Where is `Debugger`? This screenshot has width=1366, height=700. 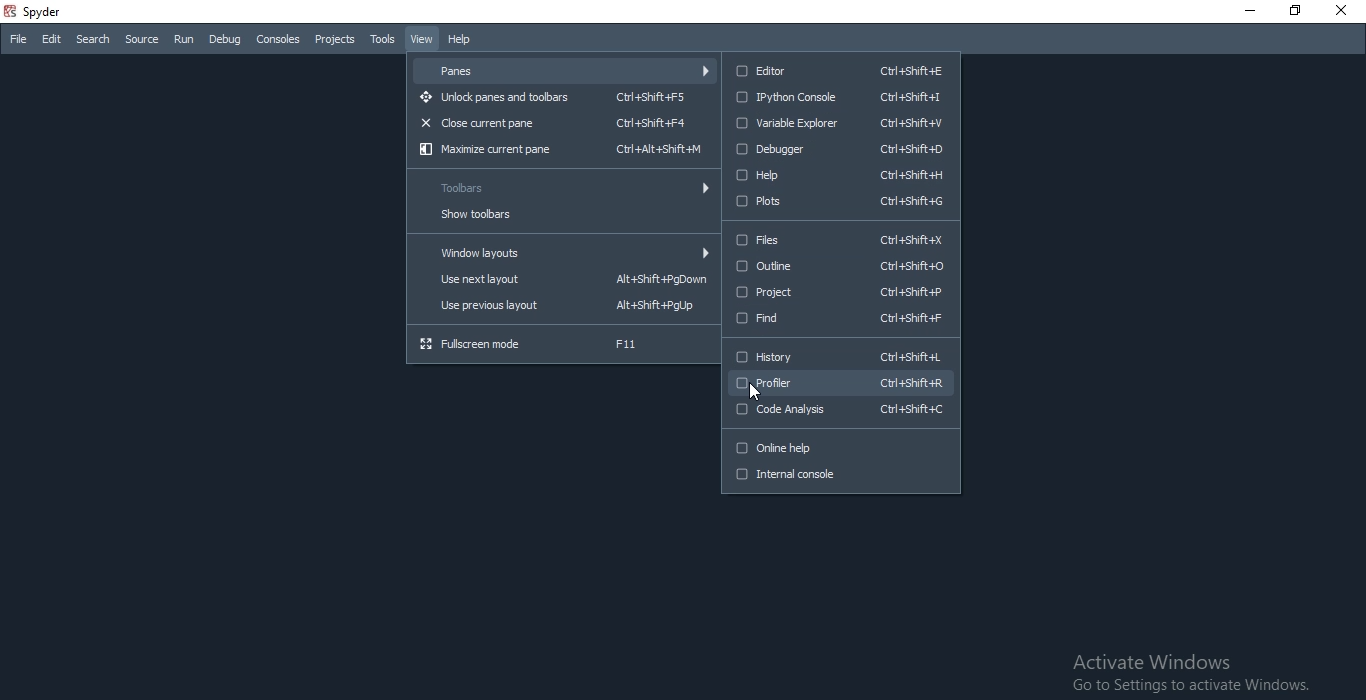
Debugger is located at coordinates (840, 150).